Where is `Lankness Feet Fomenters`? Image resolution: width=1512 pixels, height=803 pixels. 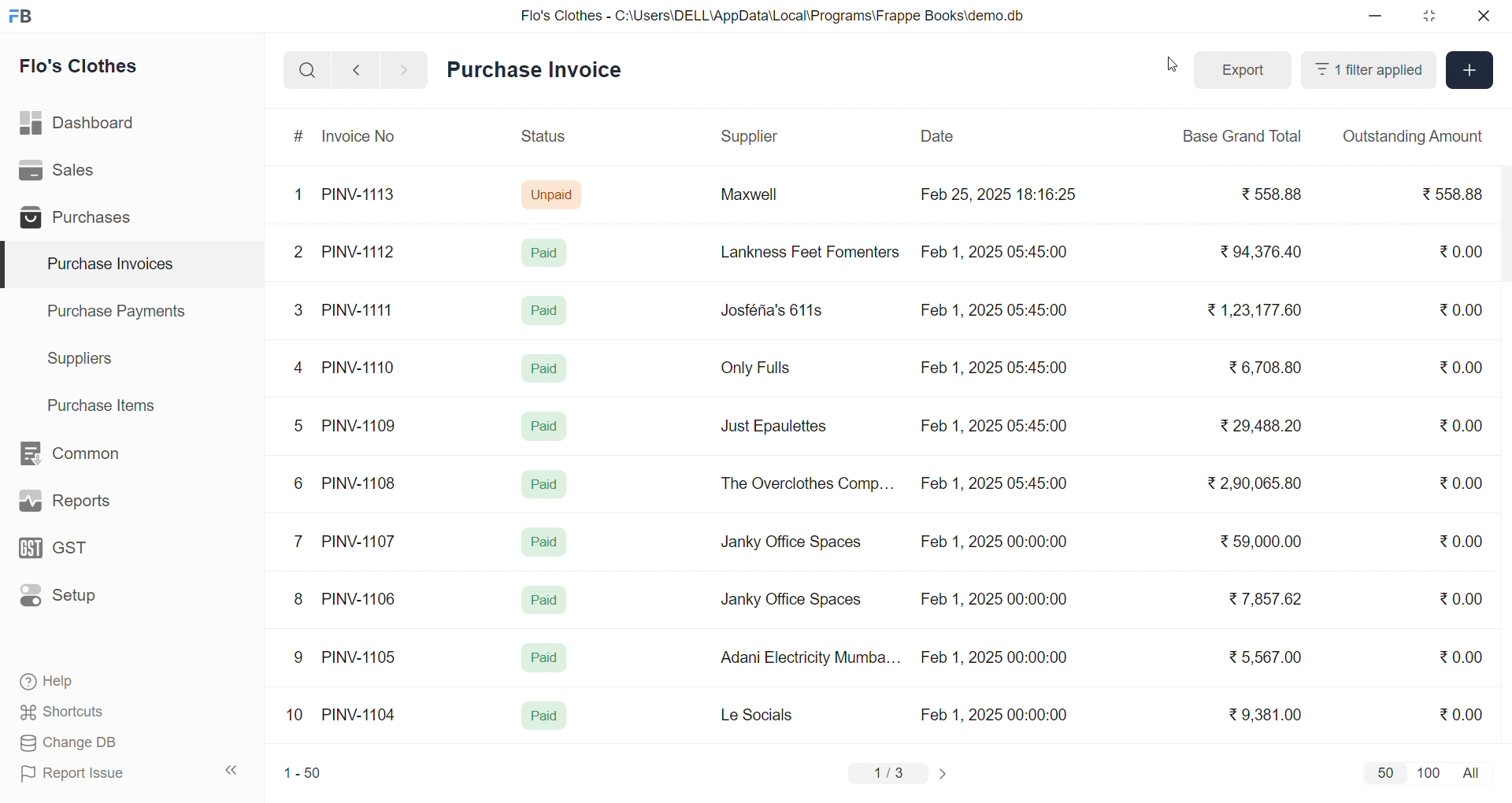 Lankness Feet Fomenters is located at coordinates (800, 252).